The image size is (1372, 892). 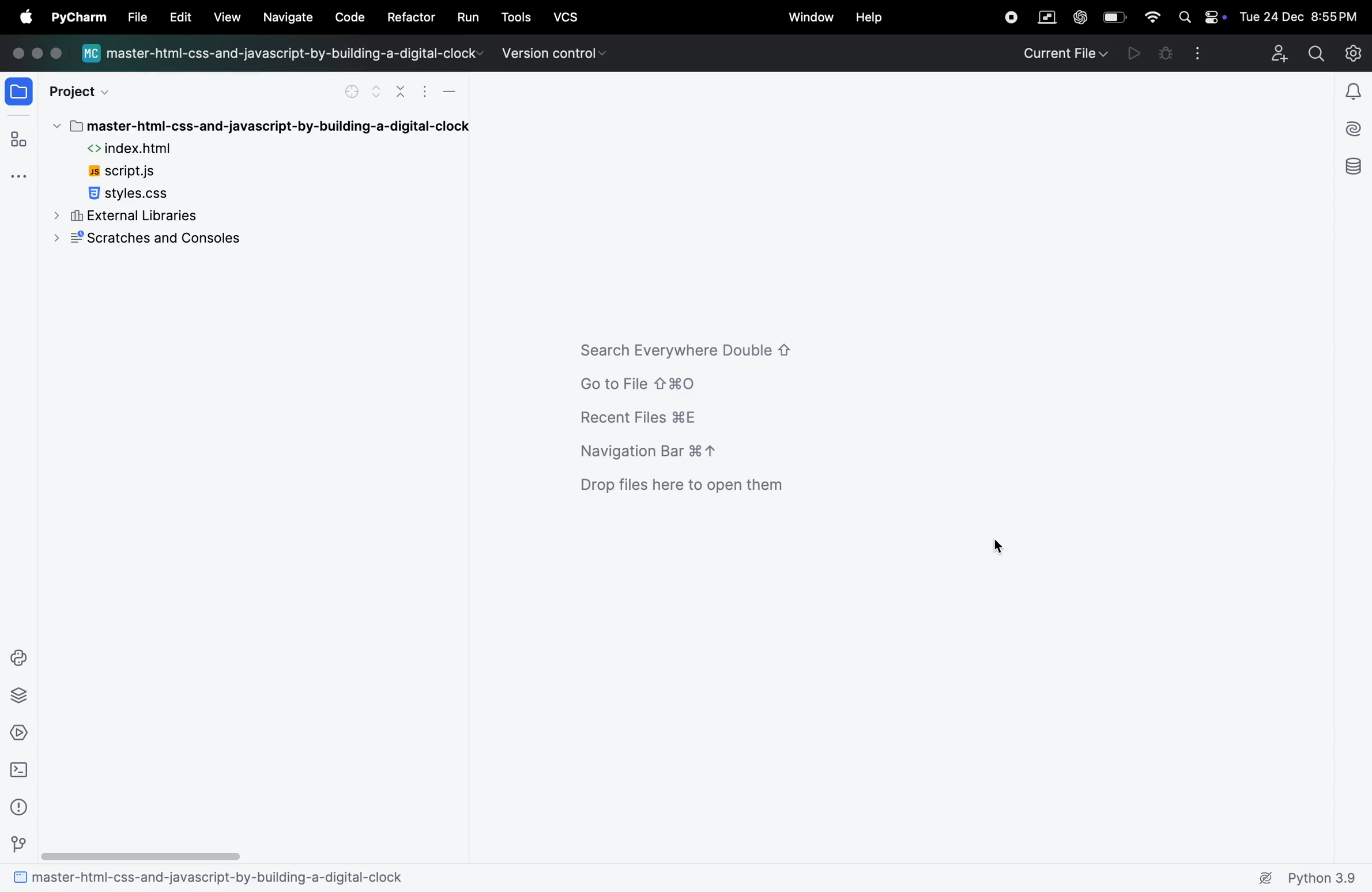 I want to click on structure, so click(x=20, y=138).